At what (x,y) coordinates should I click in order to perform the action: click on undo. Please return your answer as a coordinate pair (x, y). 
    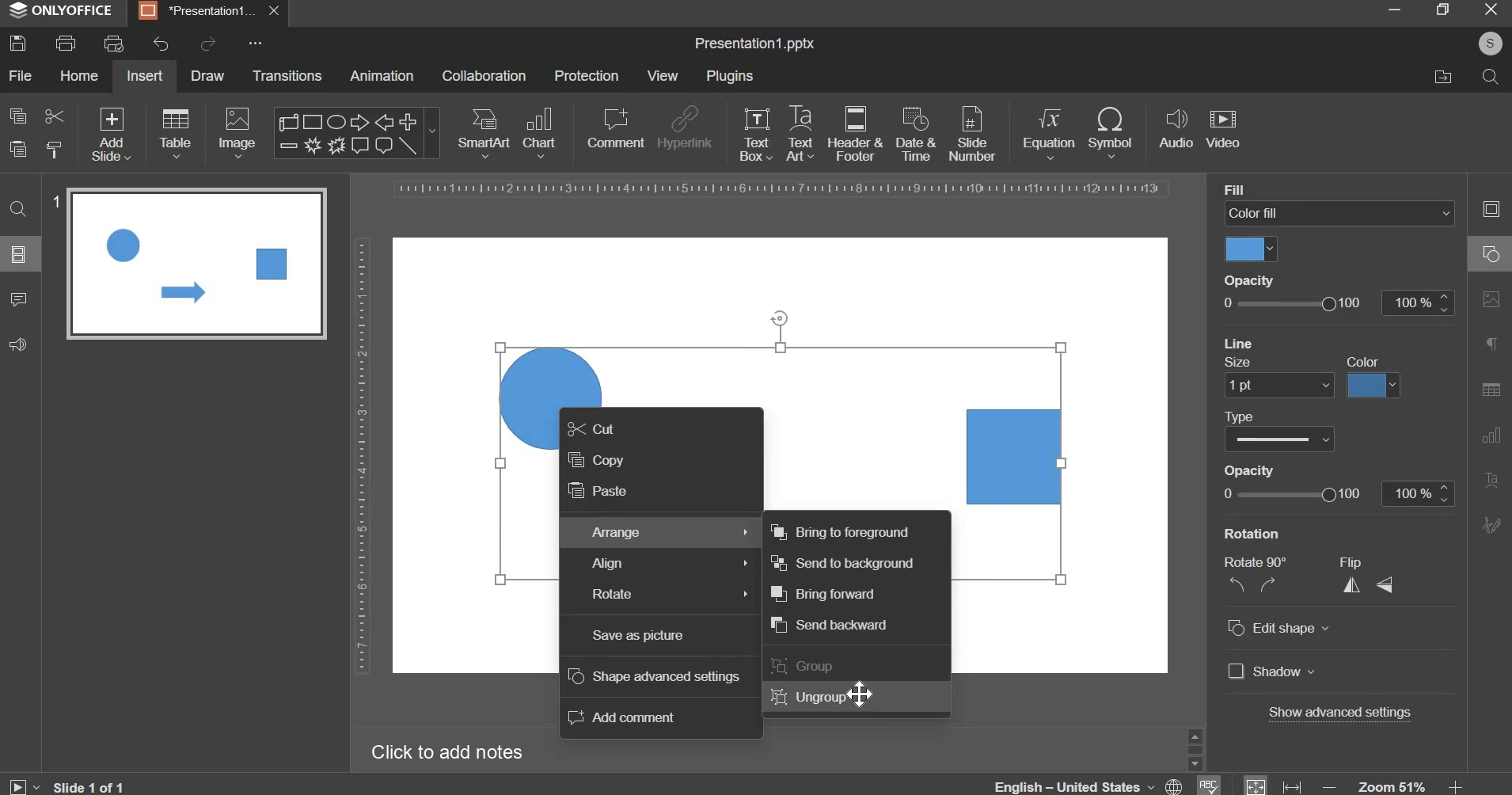
    Looking at the image, I should click on (161, 44).